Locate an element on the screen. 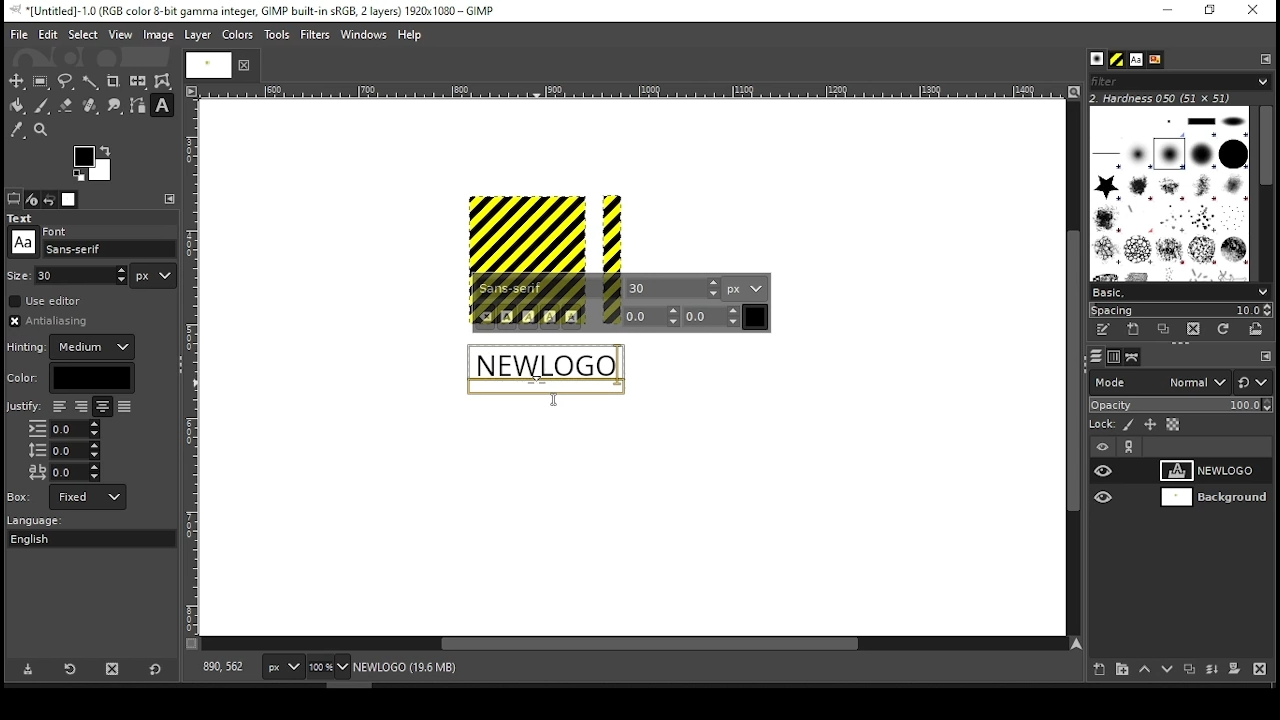 The height and width of the screenshot is (720, 1280). filters is located at coordinates (318, 35).